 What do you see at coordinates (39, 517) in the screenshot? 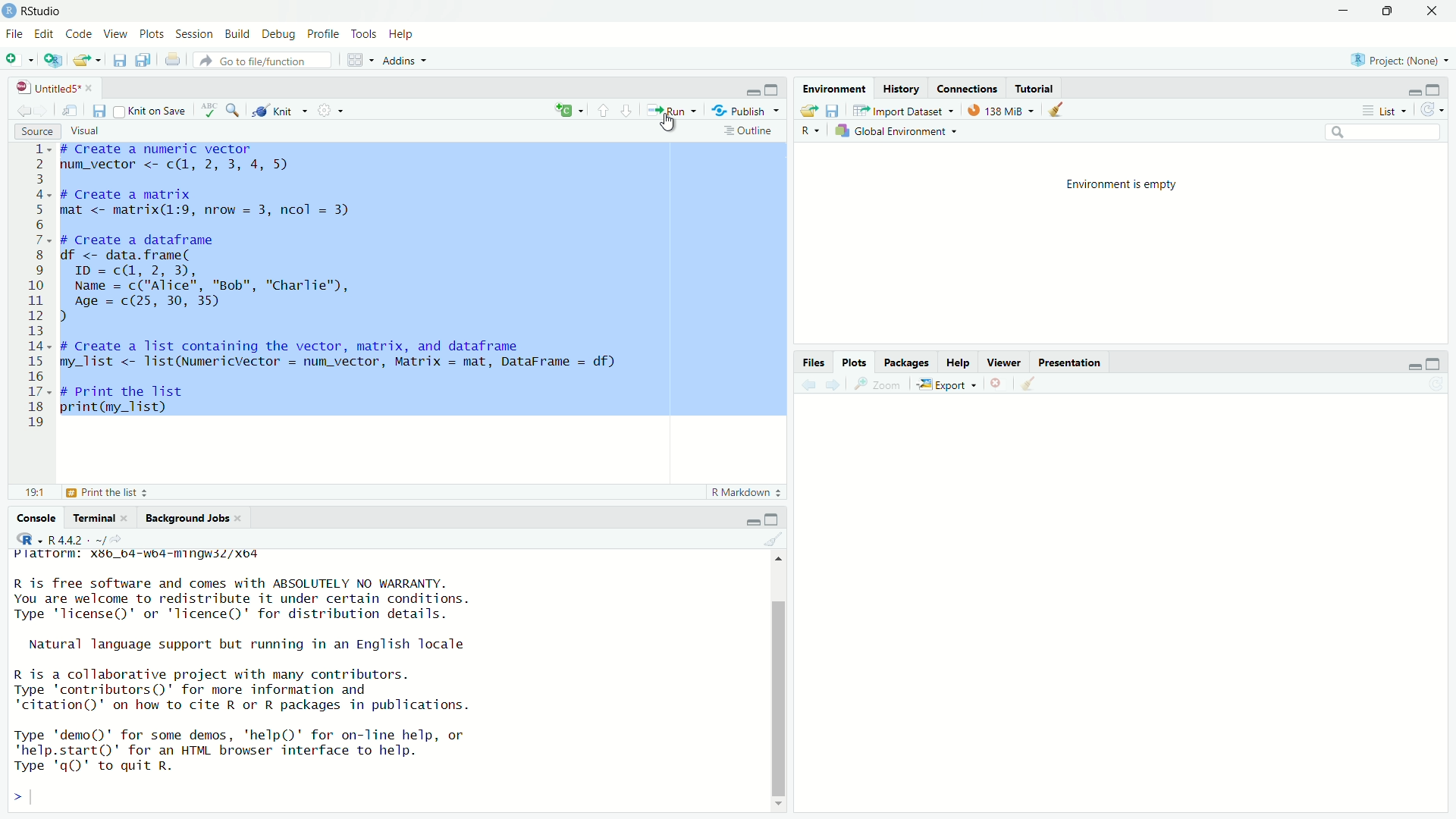
I see `Console` at bounding box center [39, 517].